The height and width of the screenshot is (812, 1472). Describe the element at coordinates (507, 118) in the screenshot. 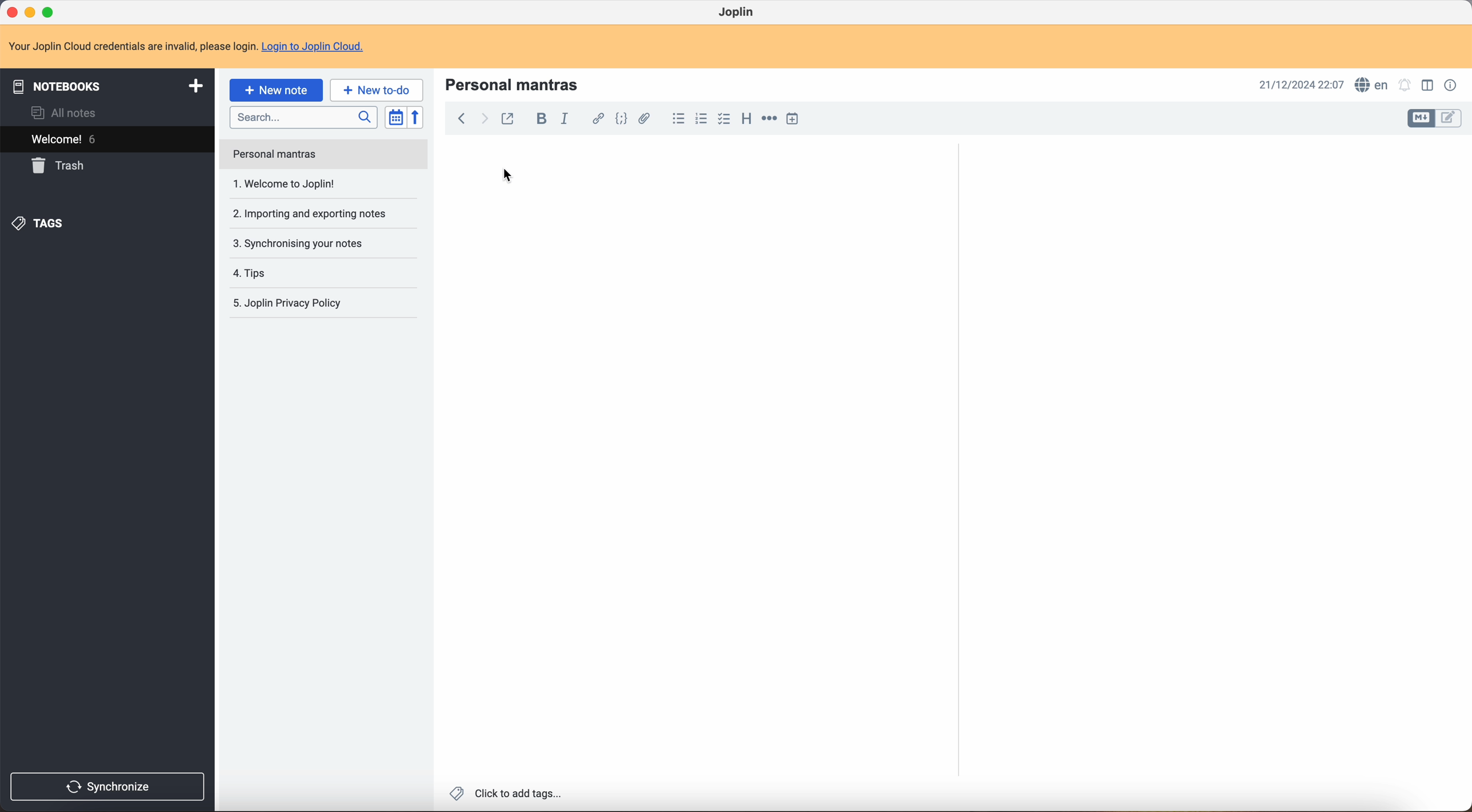

I see `toggle external editing` at that location.